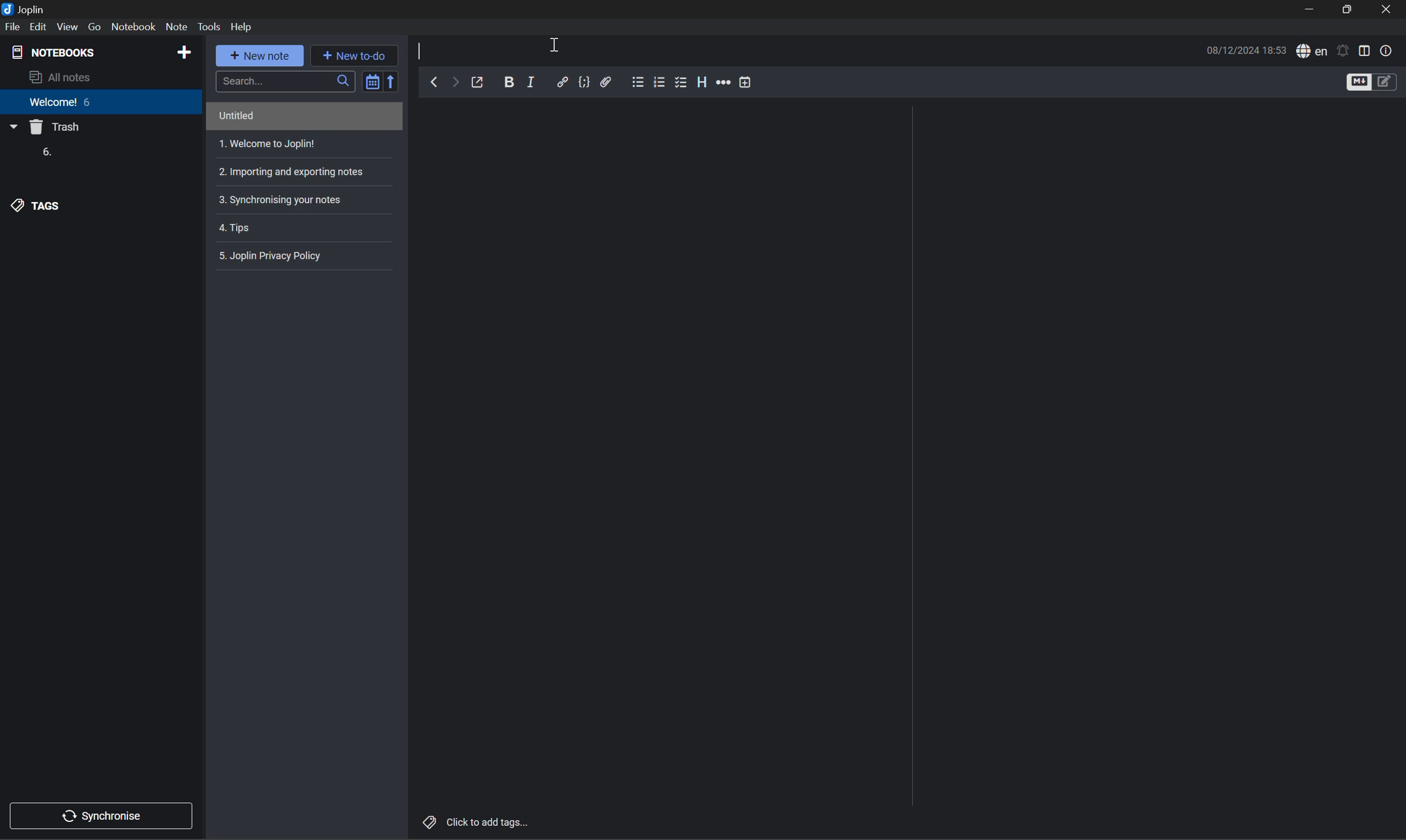 The image size is (1406, 840). Describe the element at coordinates (1369, 82) in the screenshot. I see `Toggle editors` at that location.